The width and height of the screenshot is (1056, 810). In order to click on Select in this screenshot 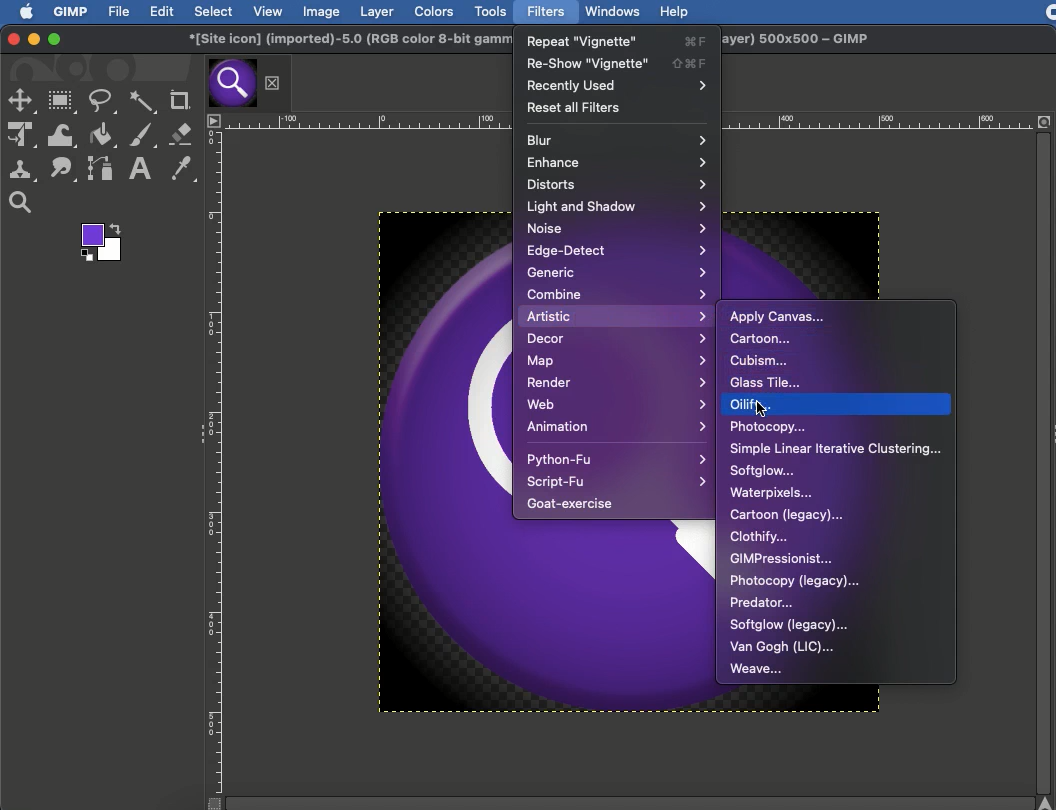, I will do `click(212, 11)`.